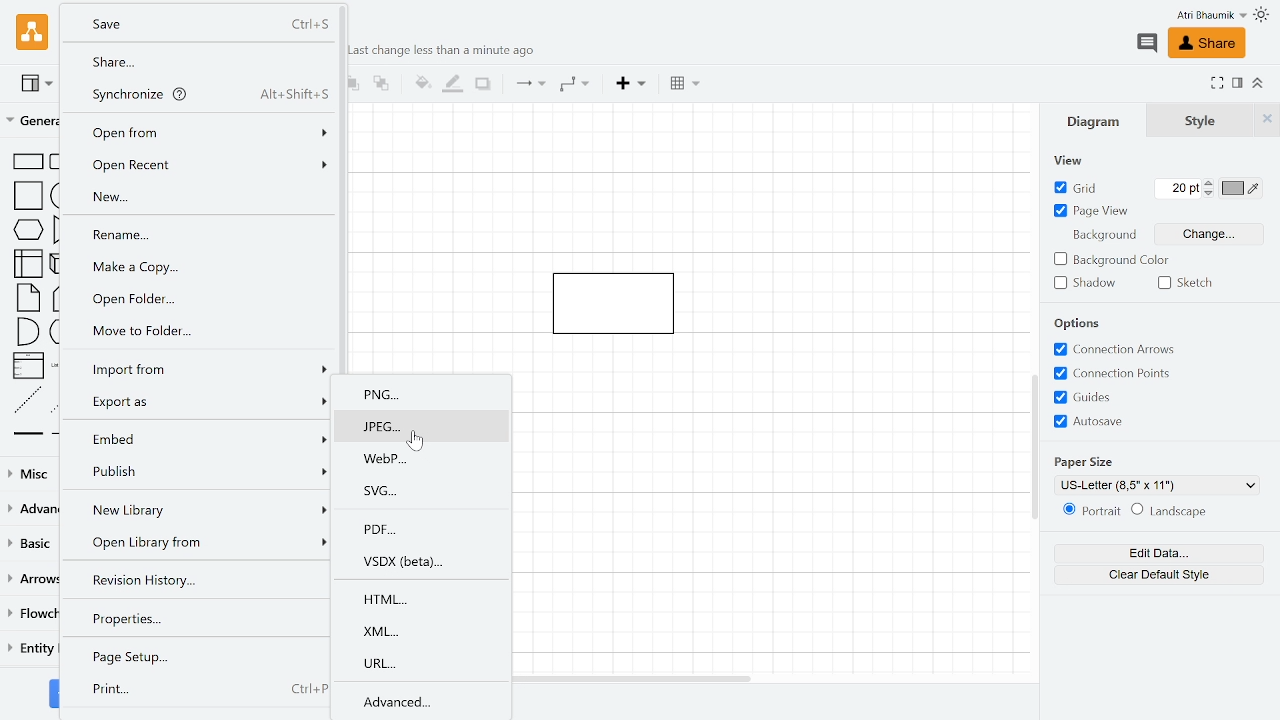  Describe the element at coordinates (1155, 551) in the screenshot. I see `Edit data` at that location.